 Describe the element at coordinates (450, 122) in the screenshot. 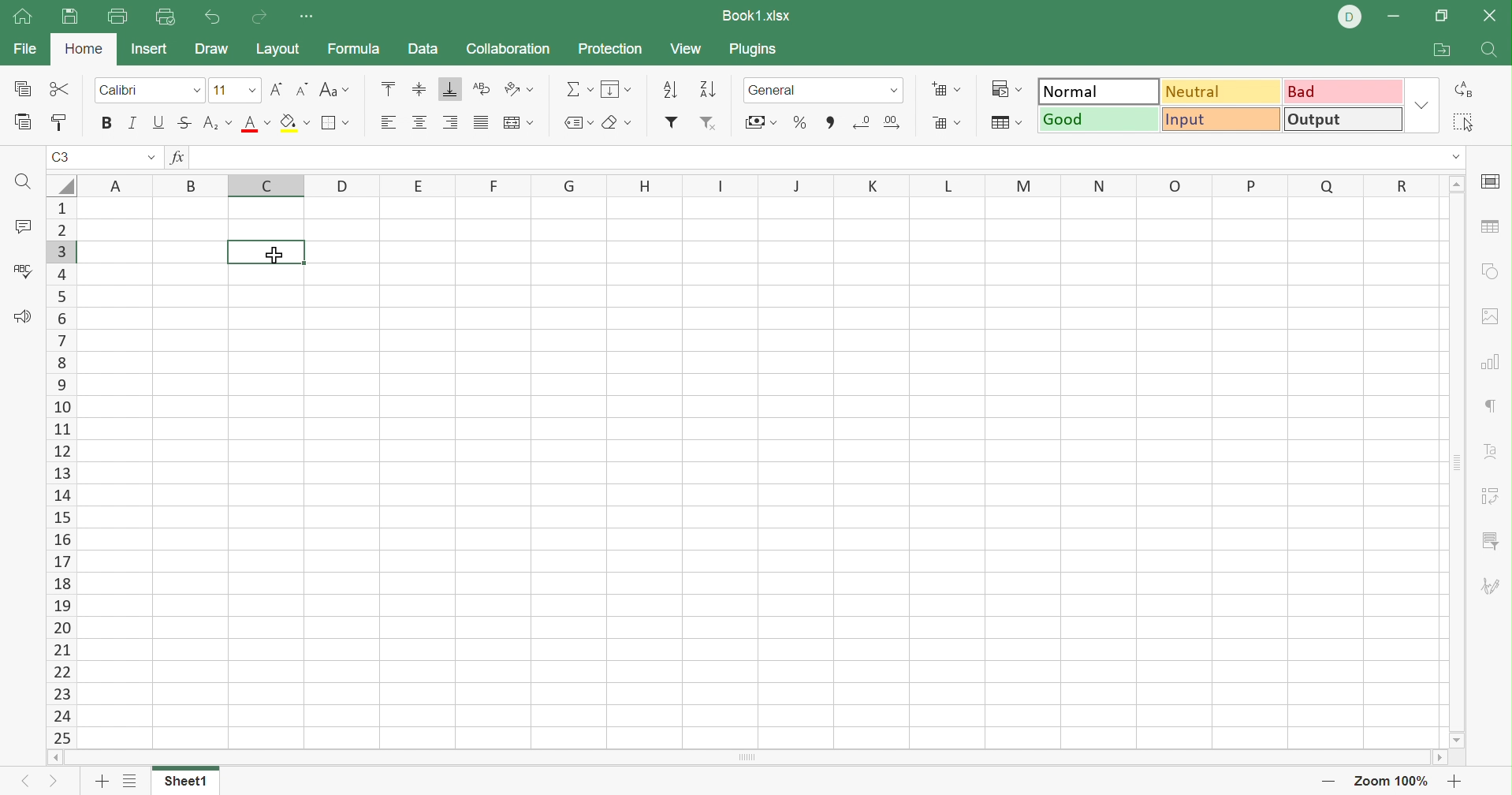

I see `Align Right` at that location.